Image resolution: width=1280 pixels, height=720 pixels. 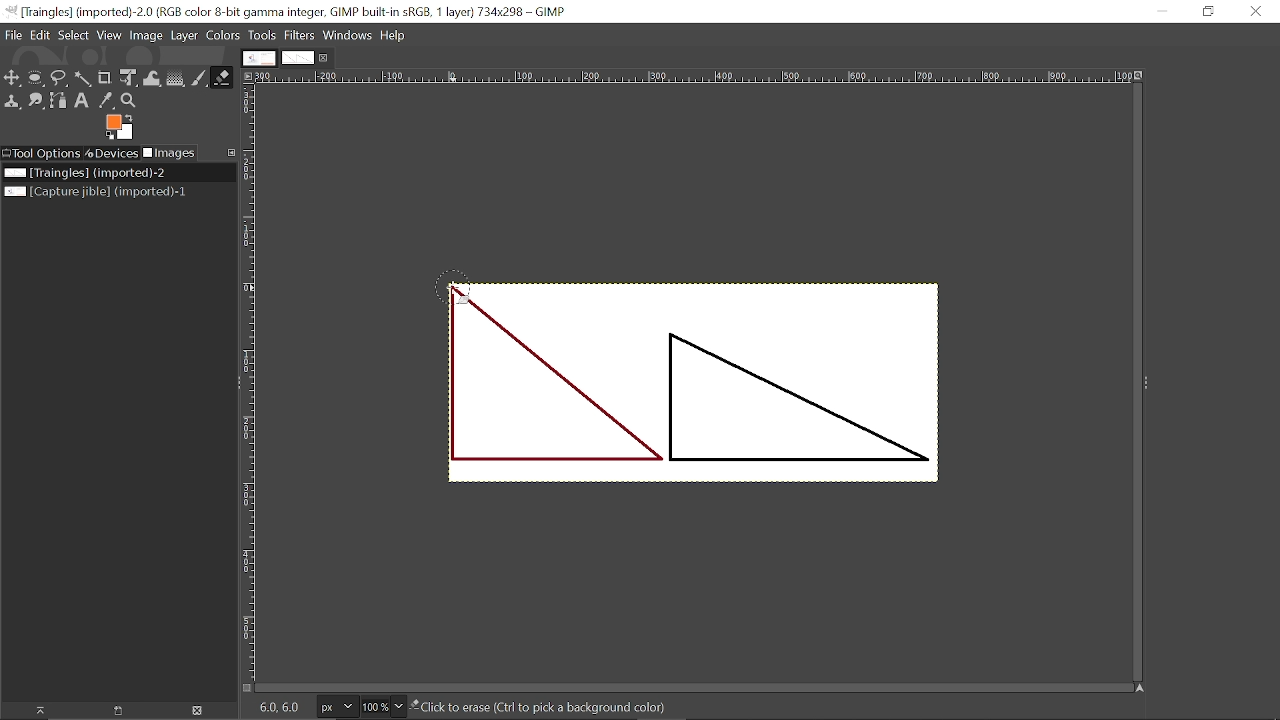 What do you see at coordinates (336, 707) in the screenshot?
I see `Current image units` at bounding box center [336, 707].